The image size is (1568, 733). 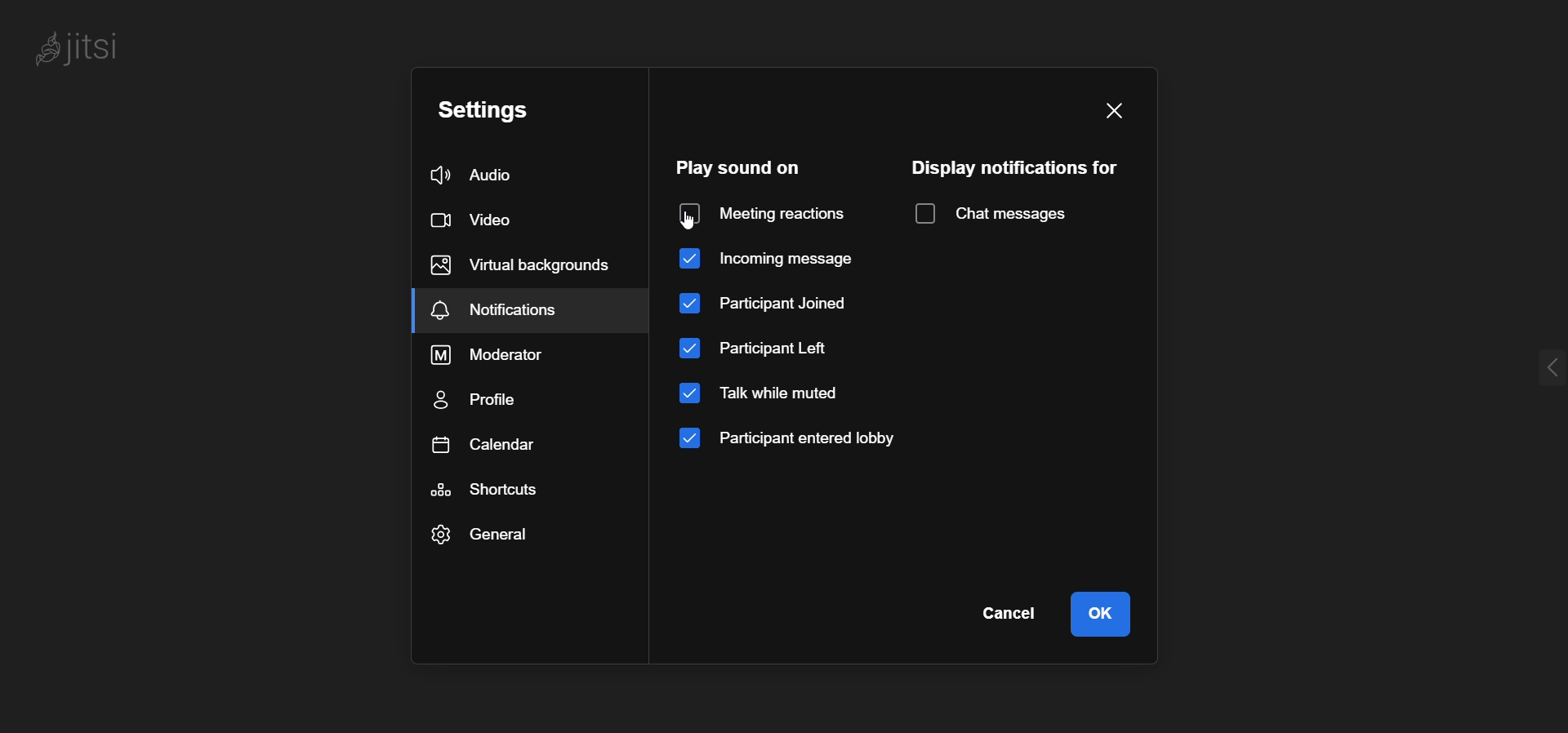 I want to click on notification, so click(x=494, y=308).